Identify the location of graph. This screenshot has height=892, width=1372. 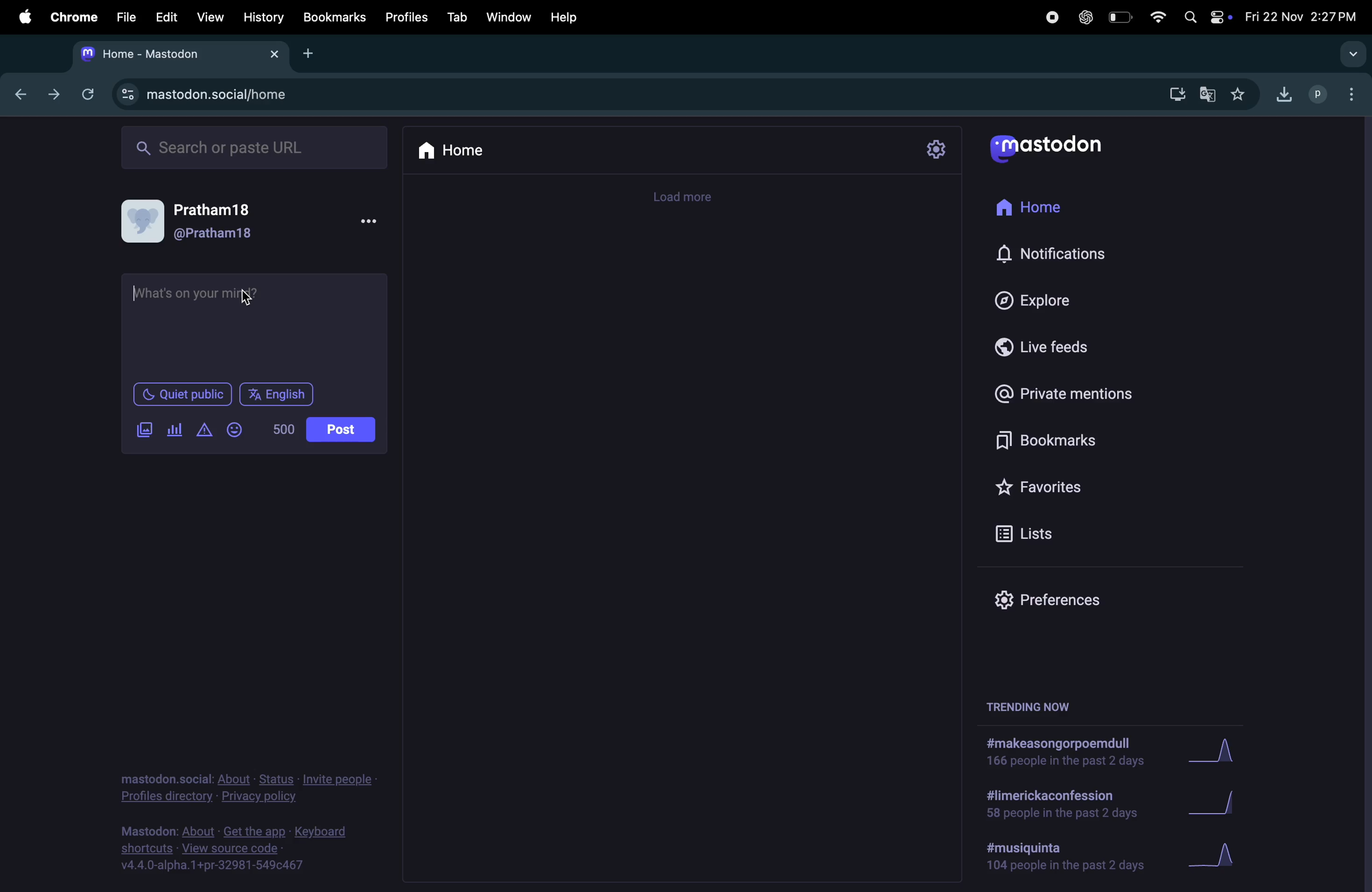
(1225, 751).